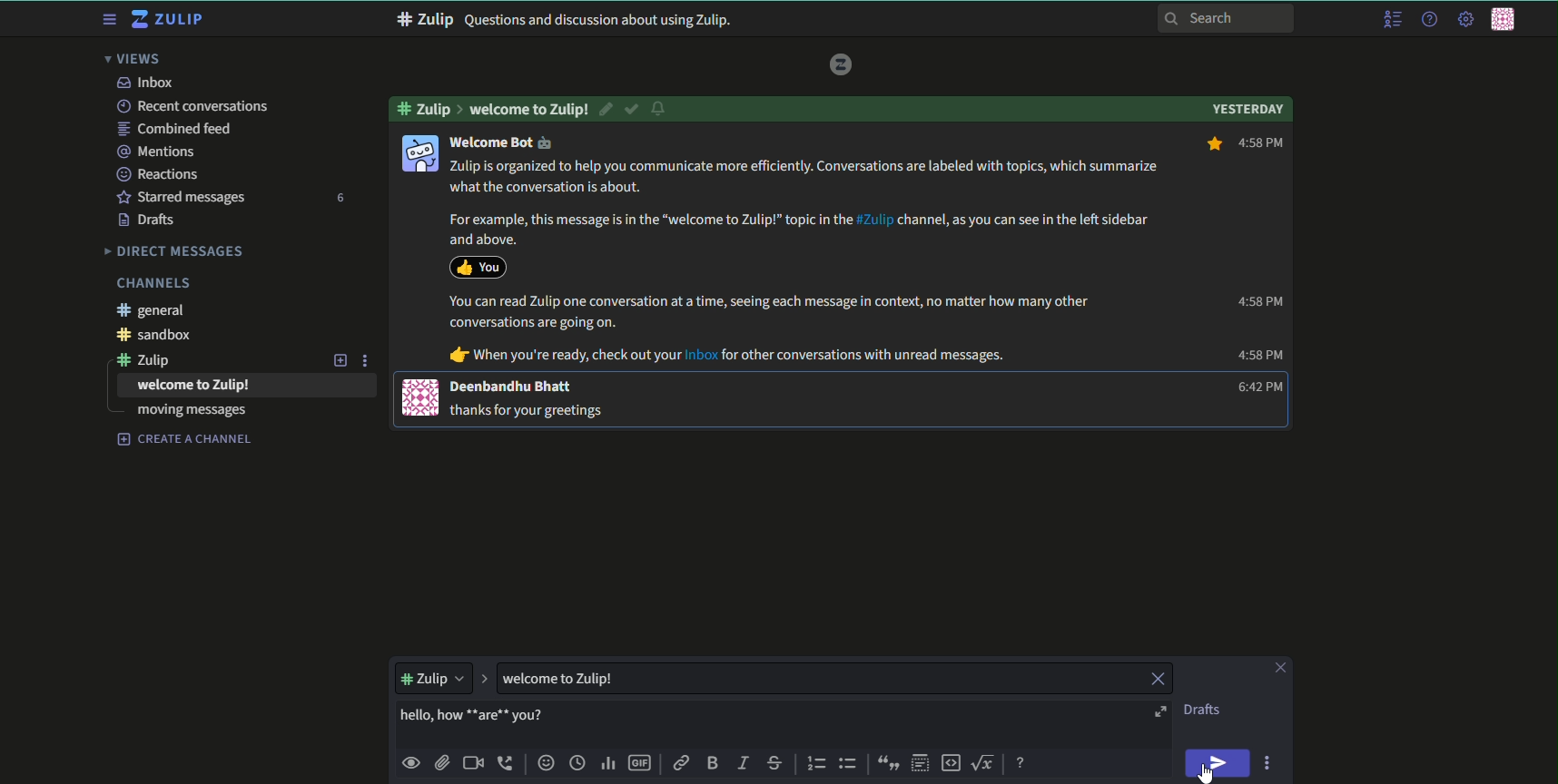 This screenshot has width=1558, height=784. I want to click on 4:58 PM, so click(1245, 144).